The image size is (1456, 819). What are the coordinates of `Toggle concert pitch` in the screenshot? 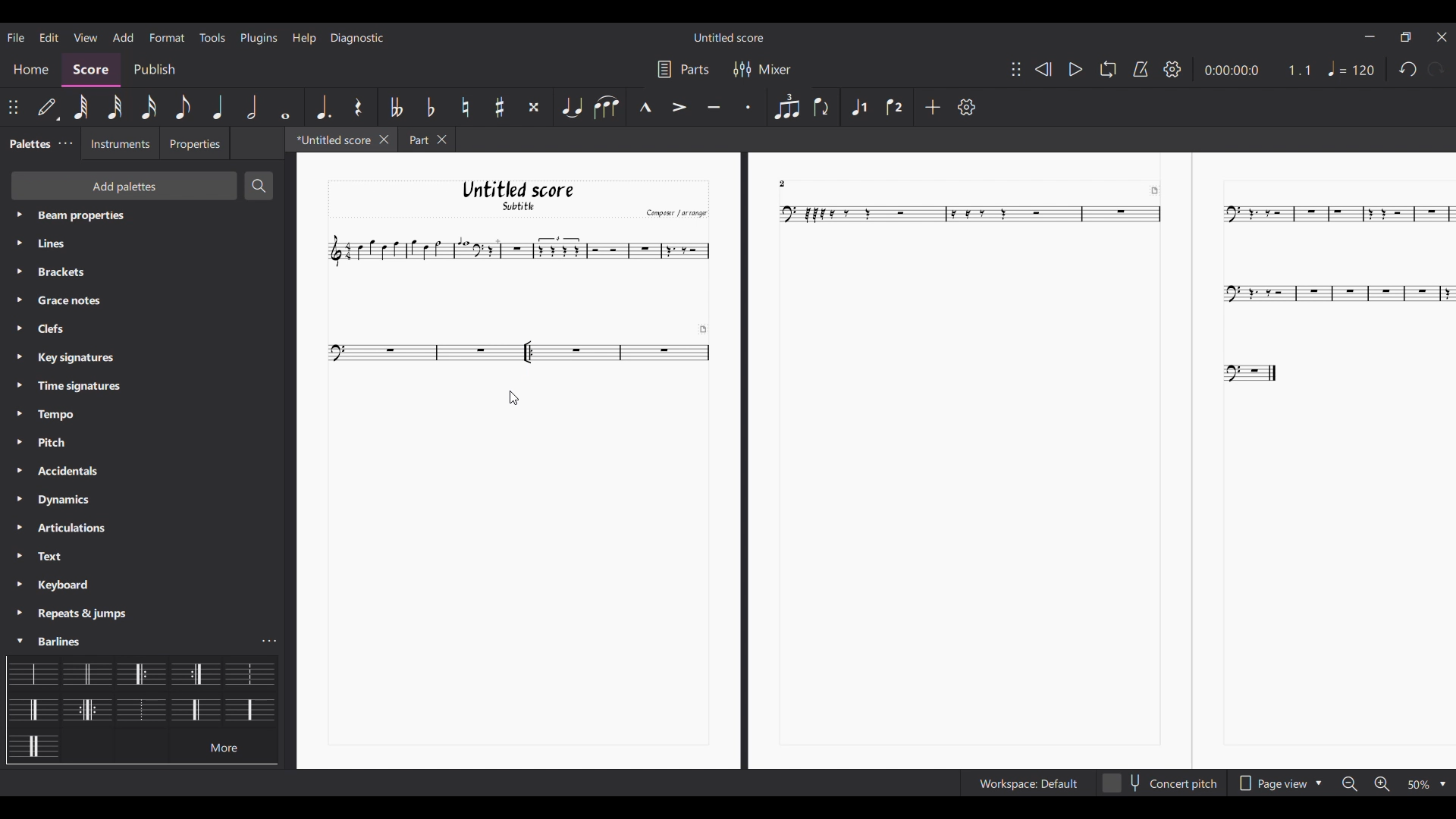 It's located at (1160, 783).